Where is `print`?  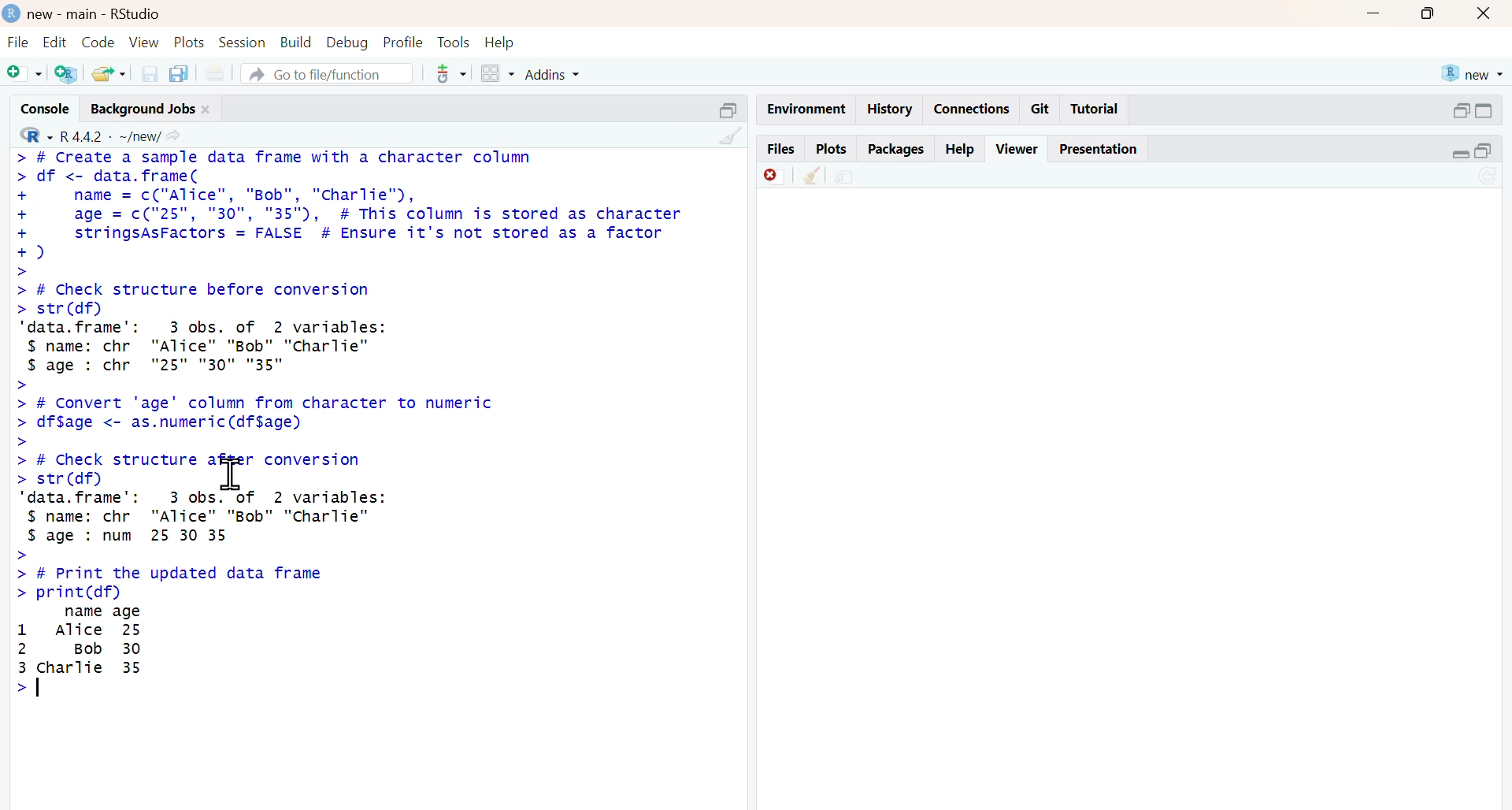
print is located at coordinates (216, 75).